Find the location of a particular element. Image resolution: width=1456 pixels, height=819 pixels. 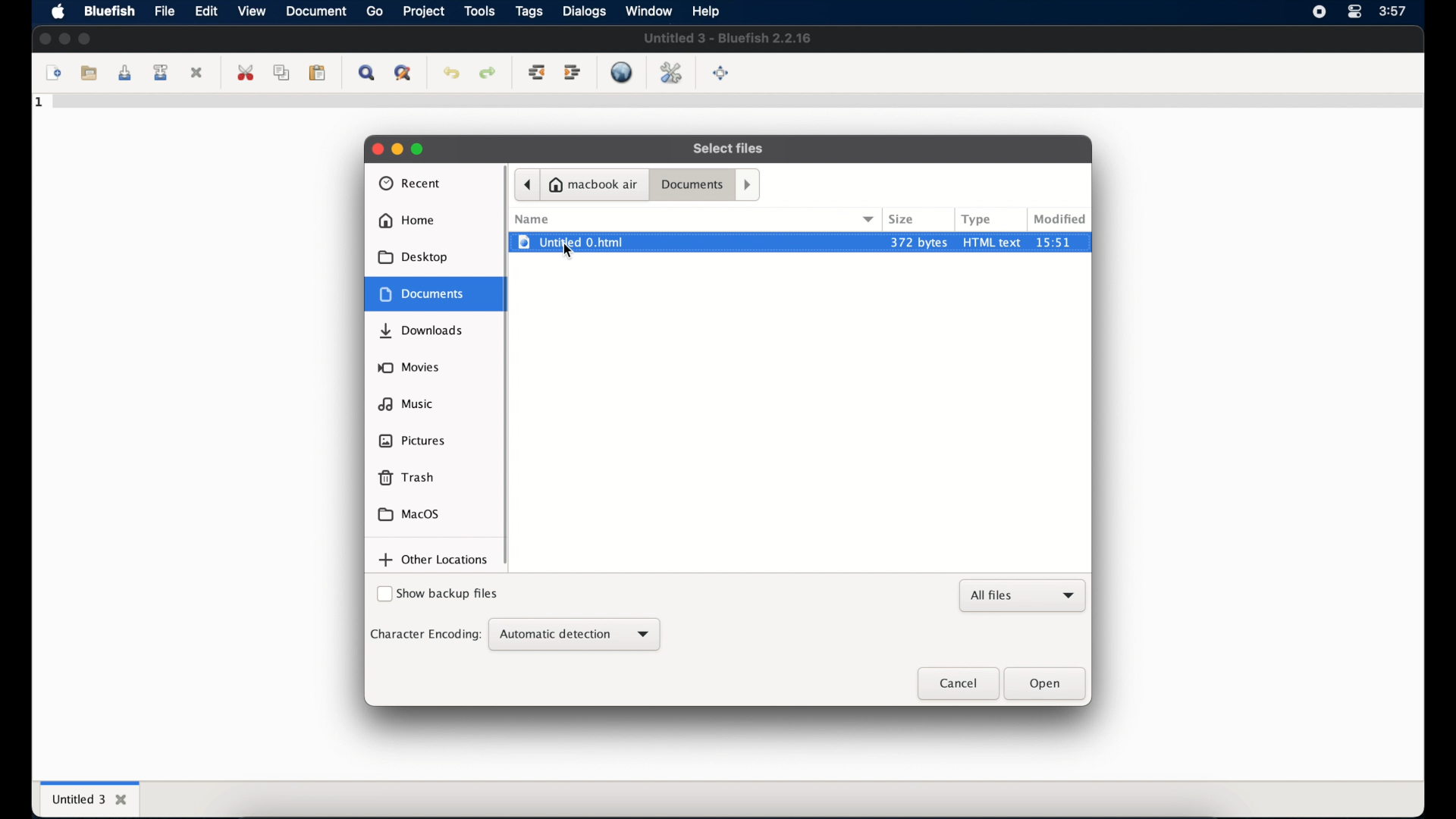

open is located at coordinates (87, 71).